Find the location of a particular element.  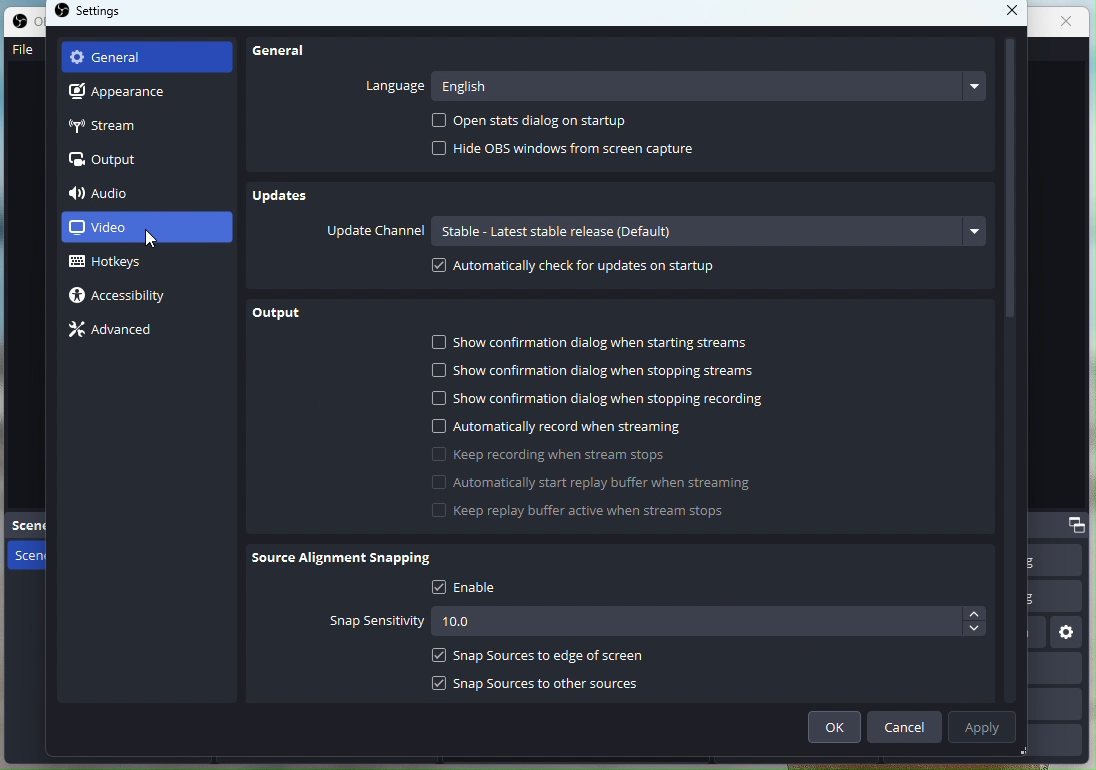

Update Channel is located at coordinates (377, 229).